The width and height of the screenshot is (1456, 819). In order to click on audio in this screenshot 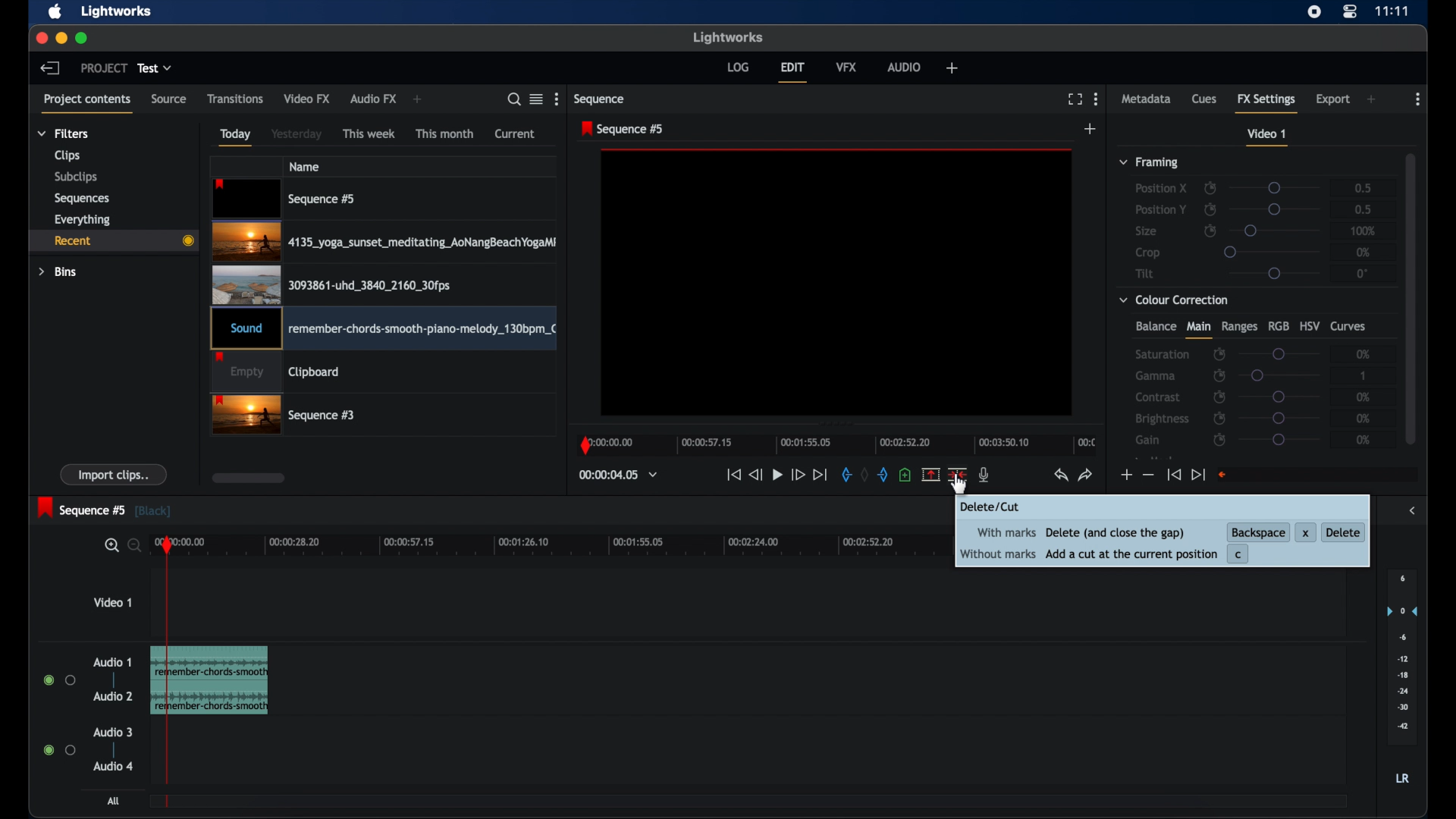, I will do `click(113, 766)`.